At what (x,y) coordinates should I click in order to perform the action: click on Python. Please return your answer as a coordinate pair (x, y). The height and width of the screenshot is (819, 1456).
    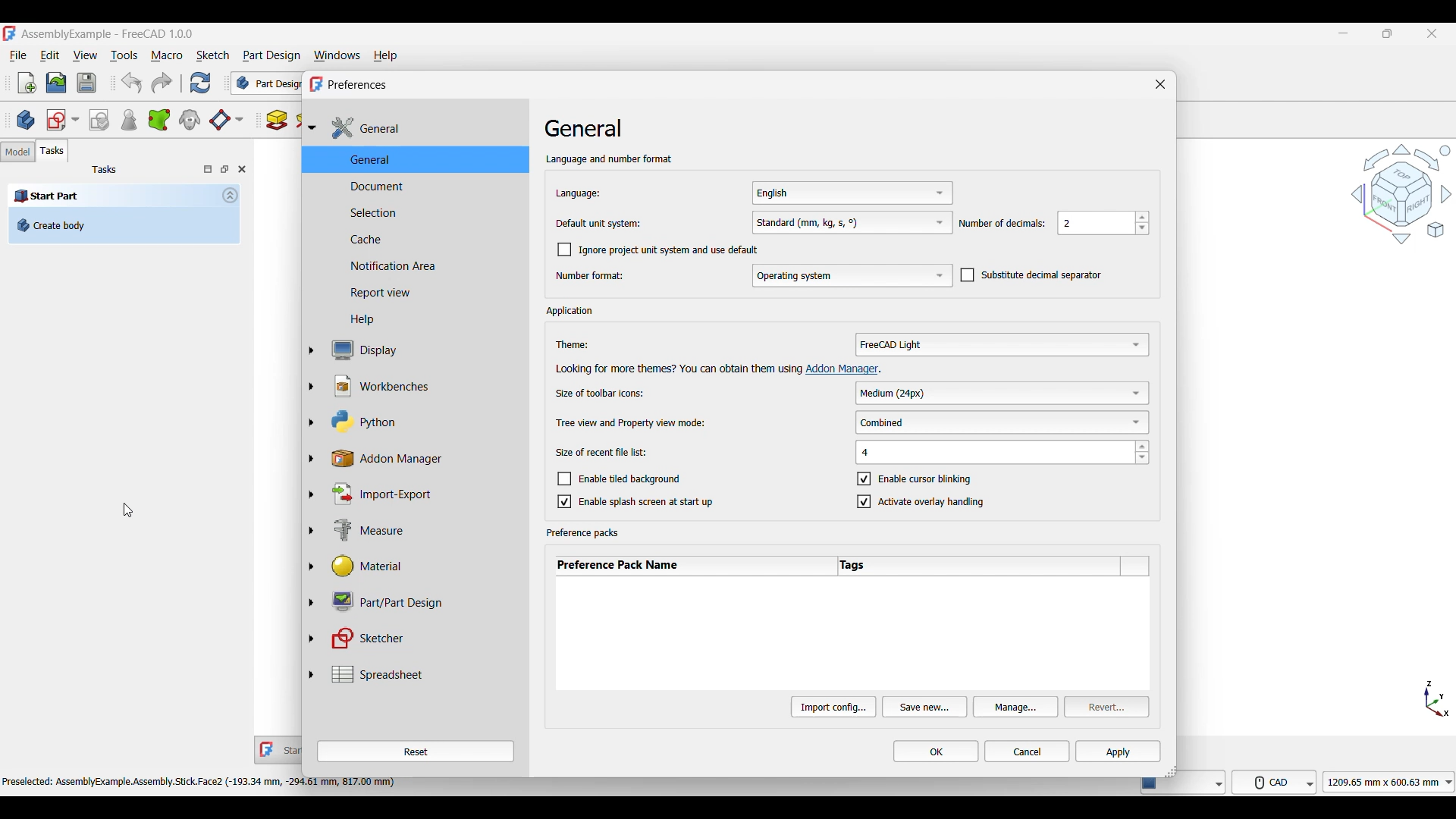
    Looking at the image, I should click on (422, 422).